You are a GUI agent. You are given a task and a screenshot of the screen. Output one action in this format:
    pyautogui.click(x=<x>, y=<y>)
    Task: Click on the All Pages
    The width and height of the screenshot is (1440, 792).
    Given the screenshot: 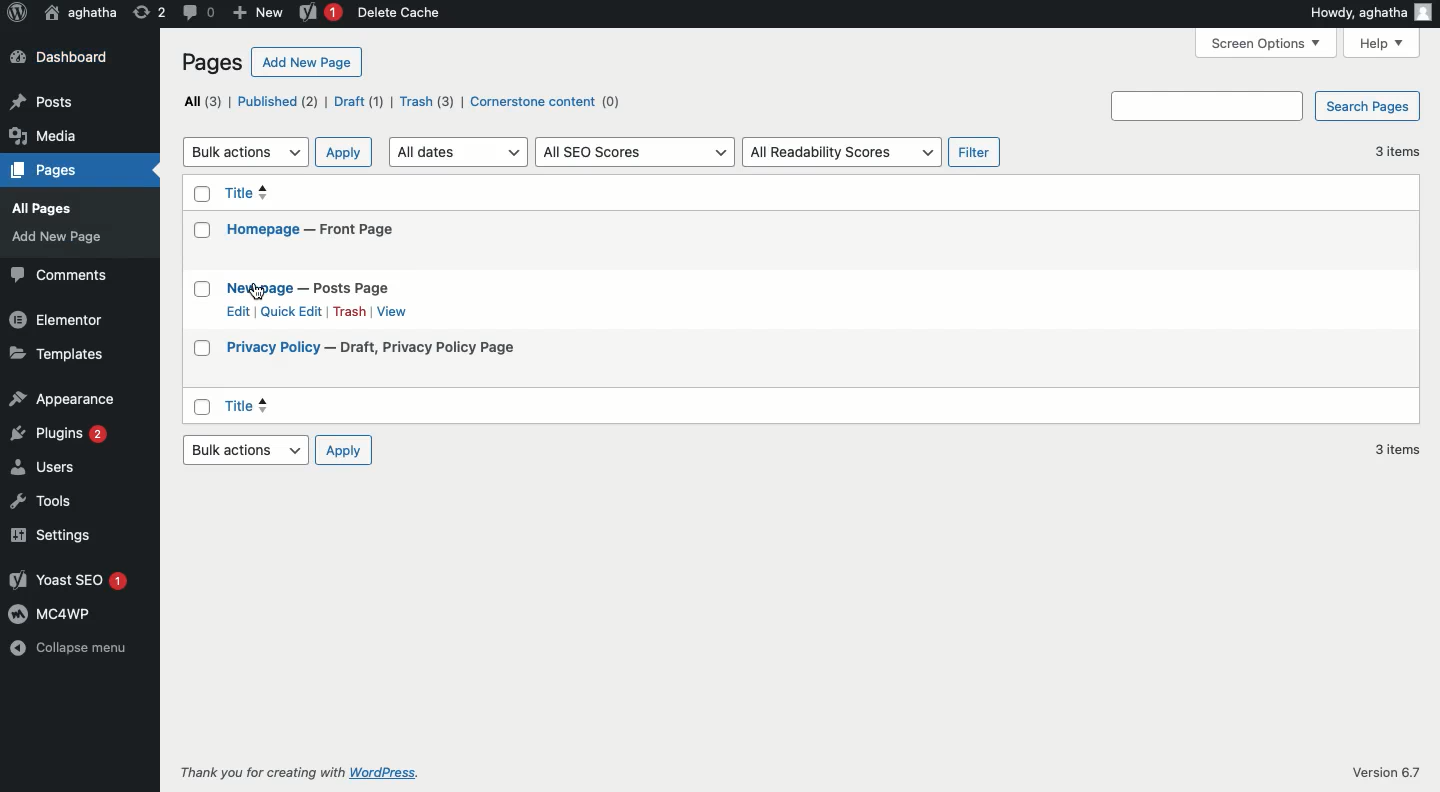 What is the action you would take?
    pyautogui.click(x=39, y=209)
    